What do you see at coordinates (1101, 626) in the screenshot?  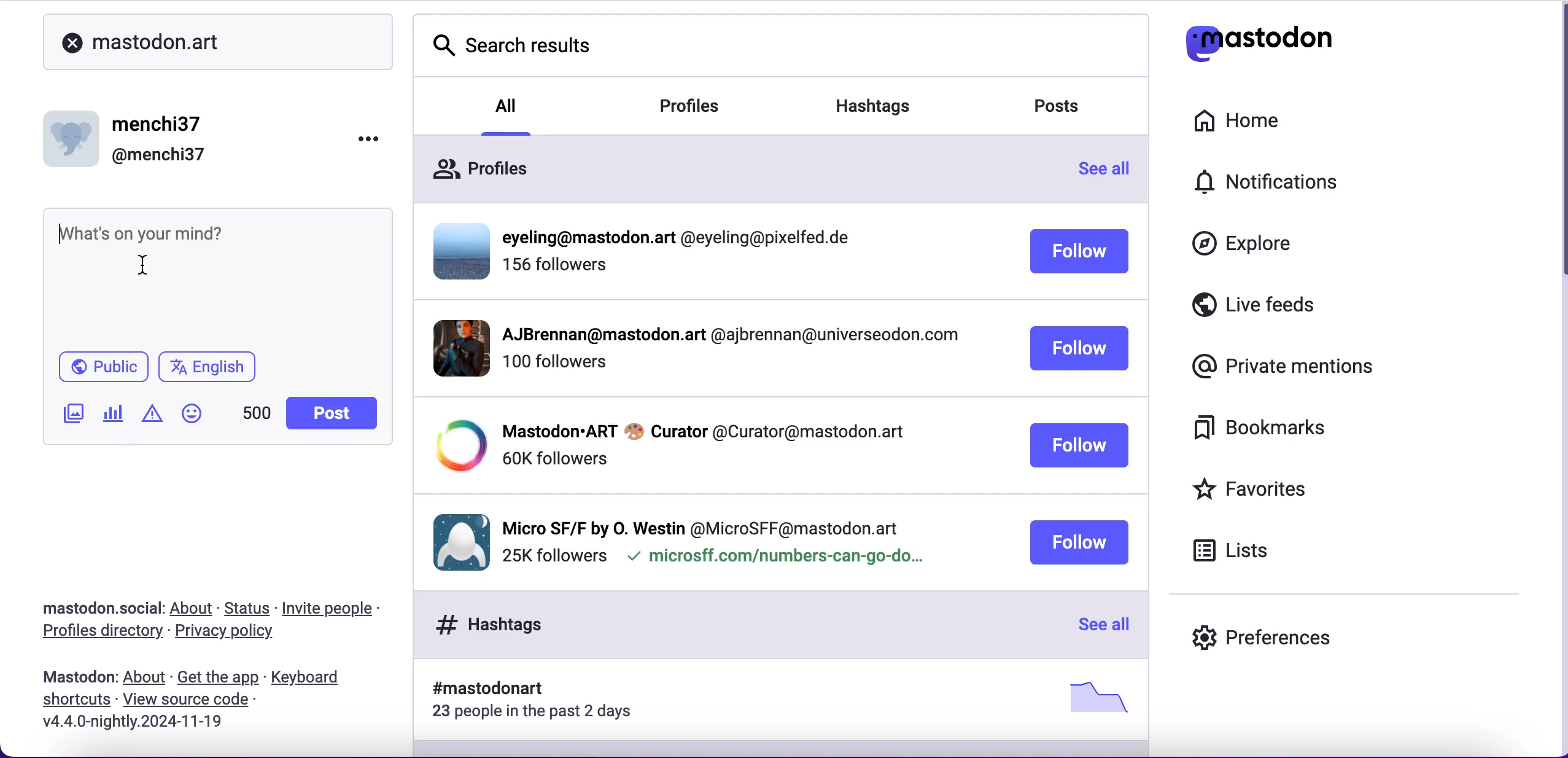 I see `see all` at bounding box center [1101, 626].